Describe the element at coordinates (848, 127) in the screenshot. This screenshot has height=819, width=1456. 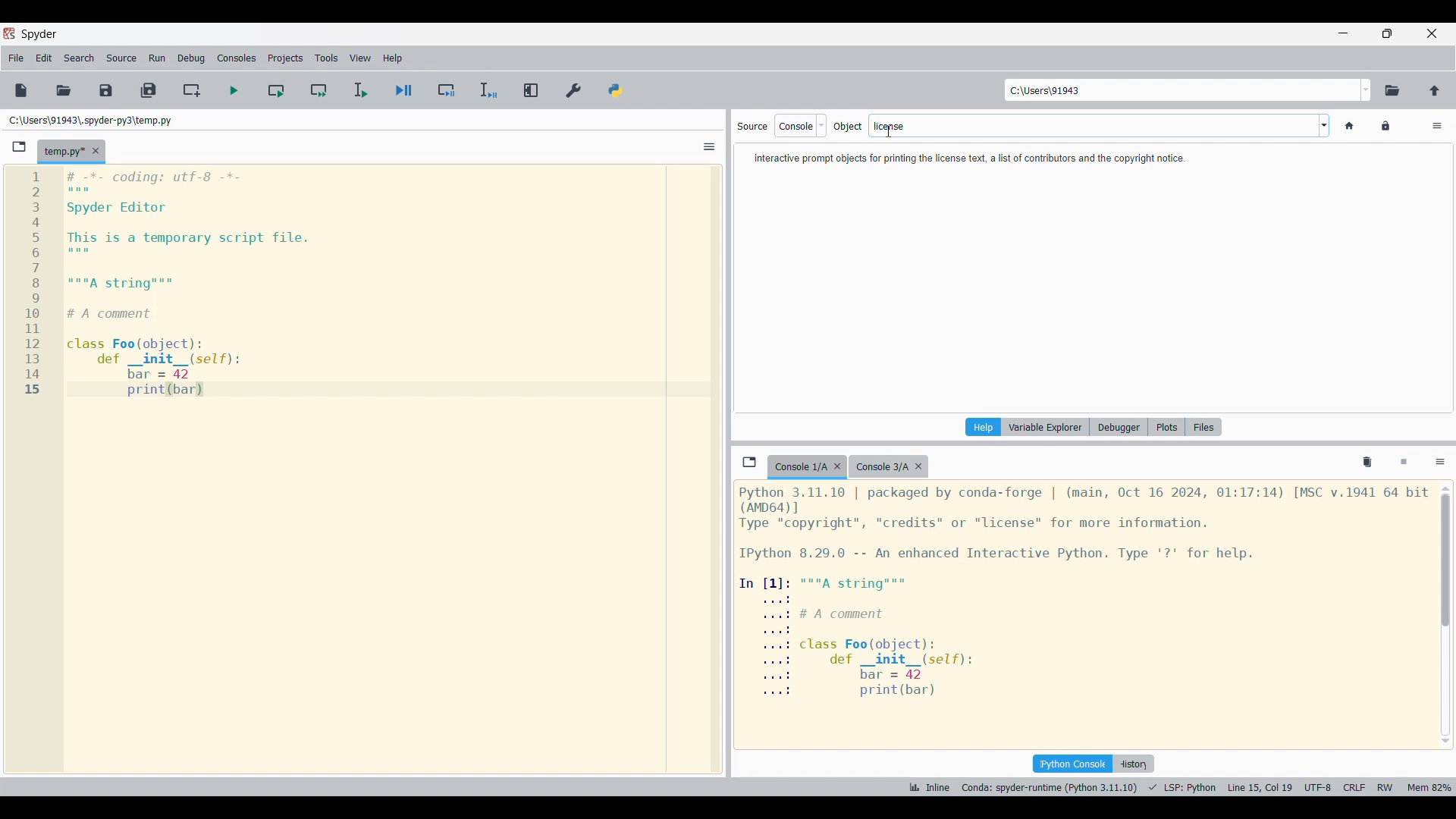
I see `Indiactes object` at that location.